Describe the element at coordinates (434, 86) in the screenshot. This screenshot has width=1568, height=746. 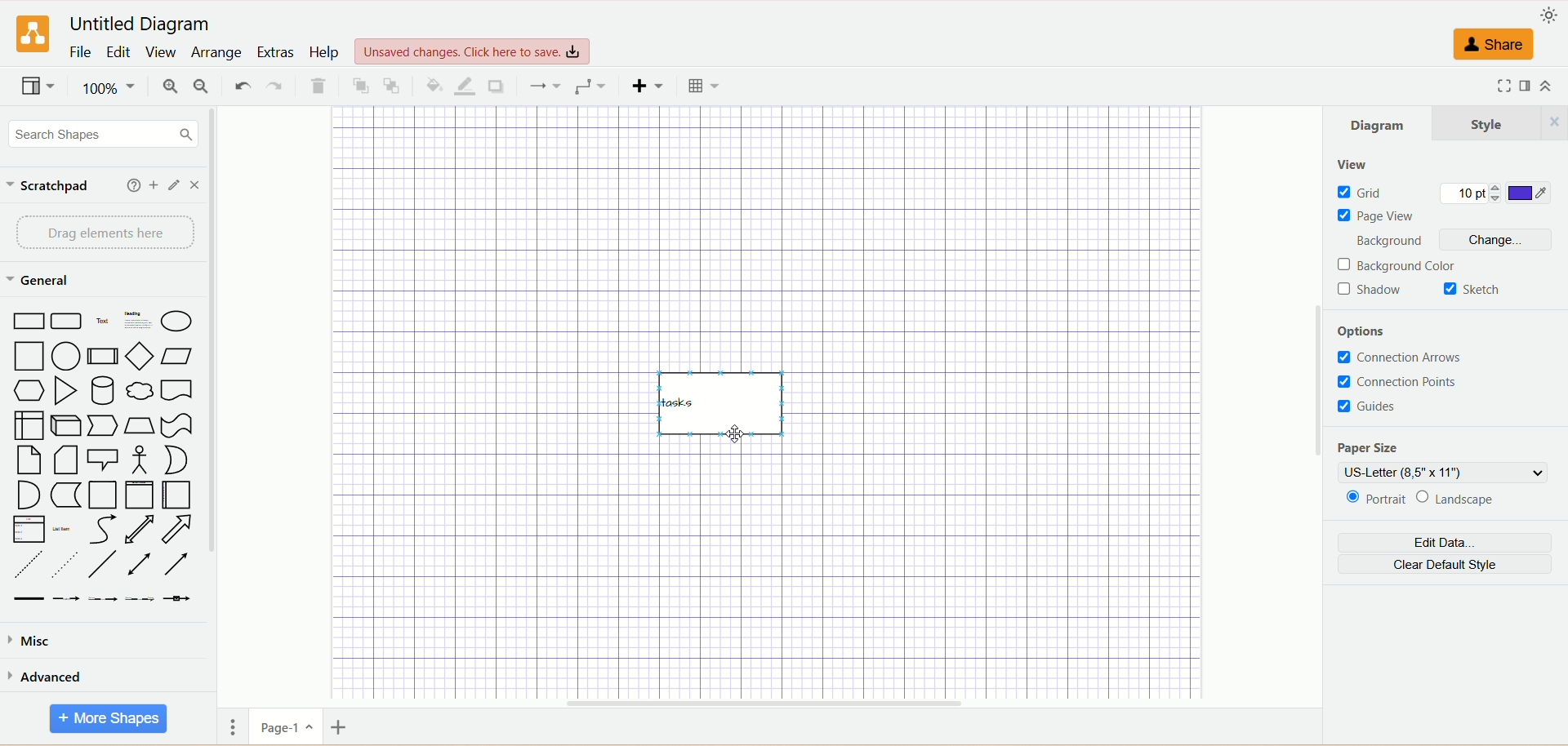
I see `fill color` at that location.